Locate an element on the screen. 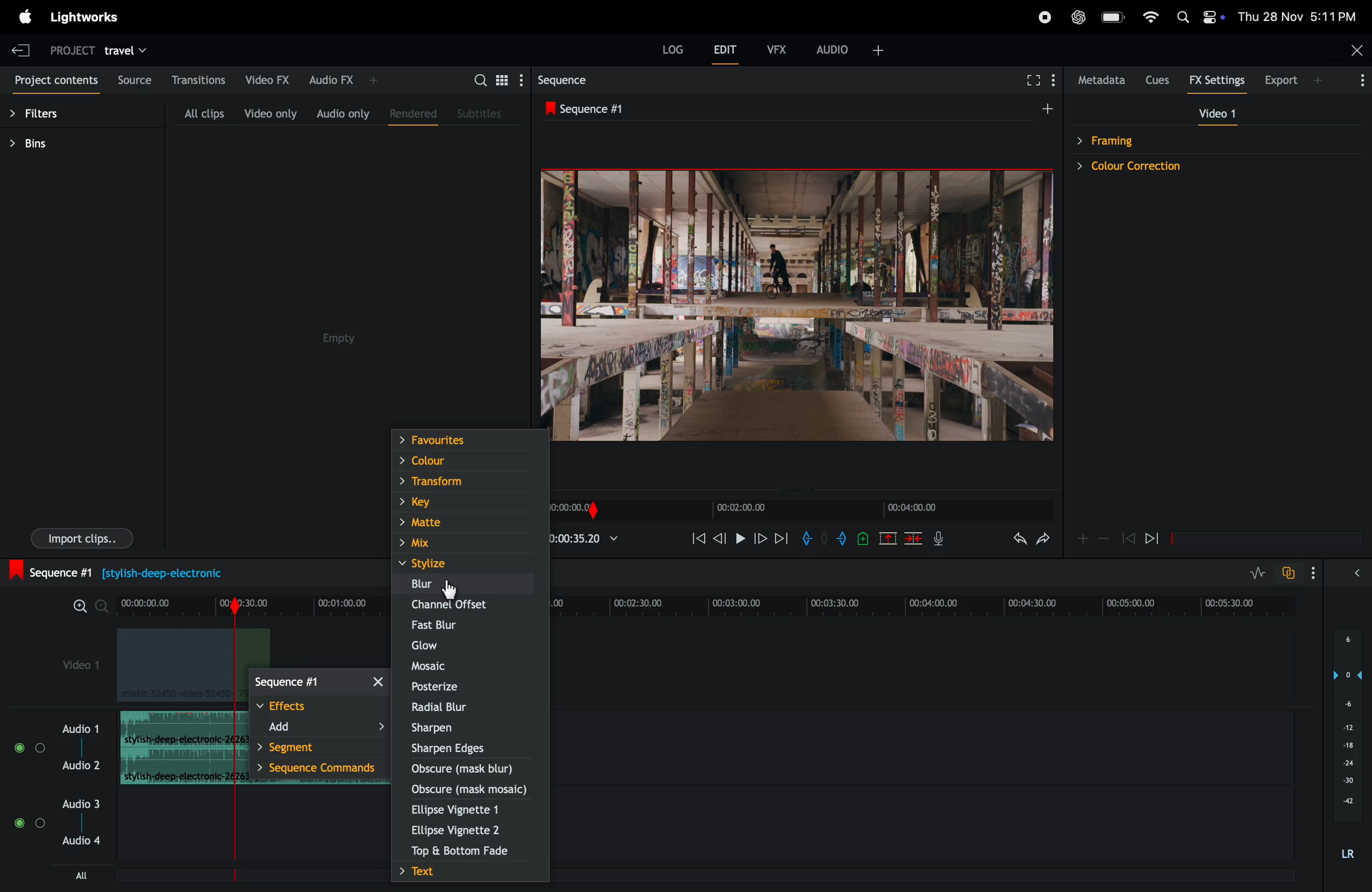 The height and width of the screenshot is (892, 1372). Toggle is located at coordinates (17, 823).